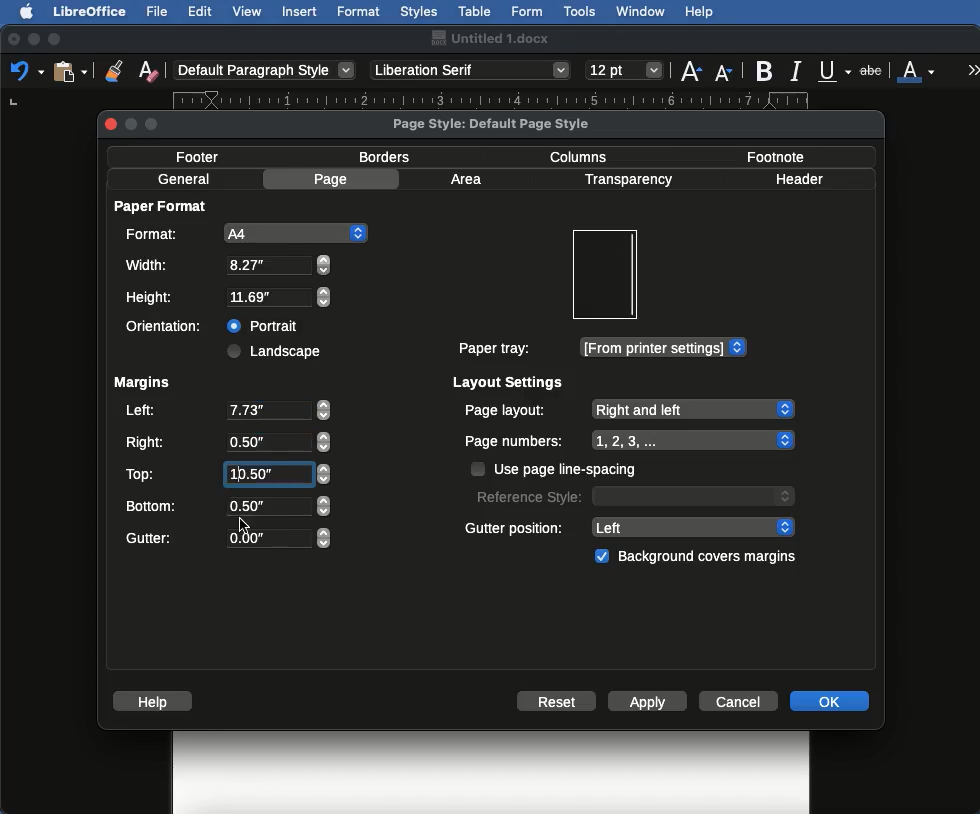 This screenshot has height=814, width=980. What do you see at coordinates (472, 70) in the screenshot?
I see `Font style` at bounding box center [472, 70].